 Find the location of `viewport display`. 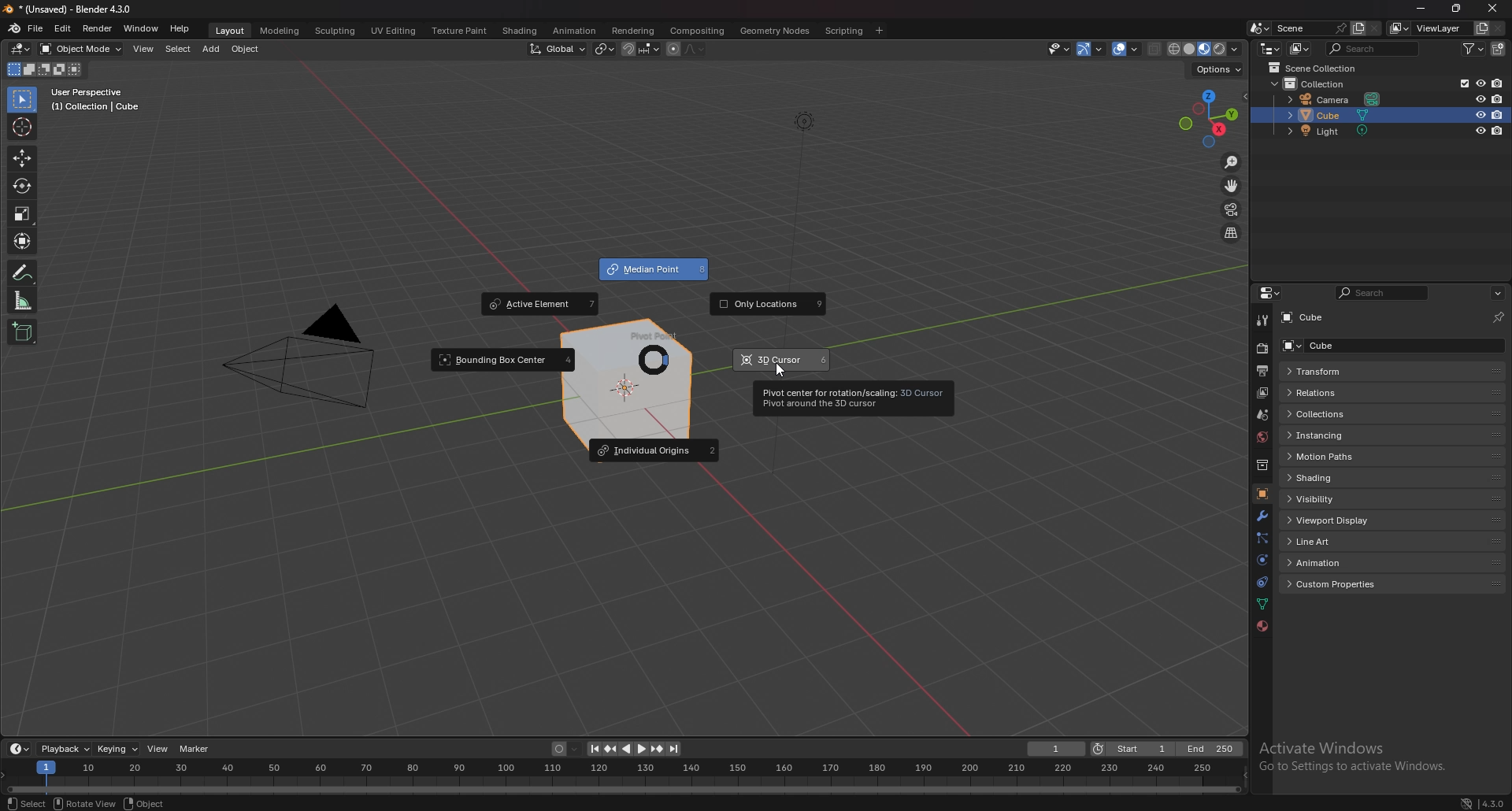

viewport display is located at coordinates (1335, 519).